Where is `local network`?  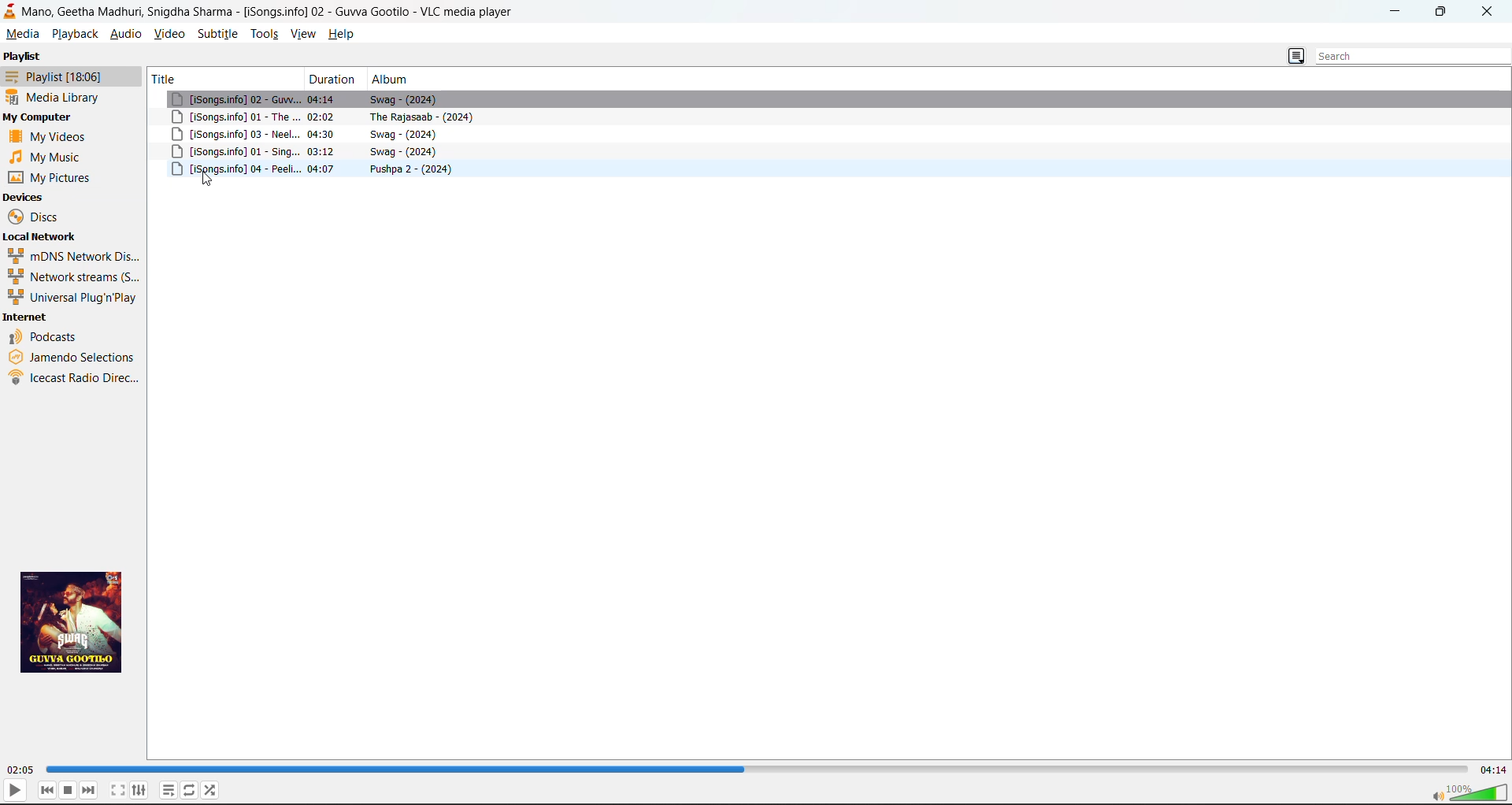
local network is located at coordinates (39, 236).